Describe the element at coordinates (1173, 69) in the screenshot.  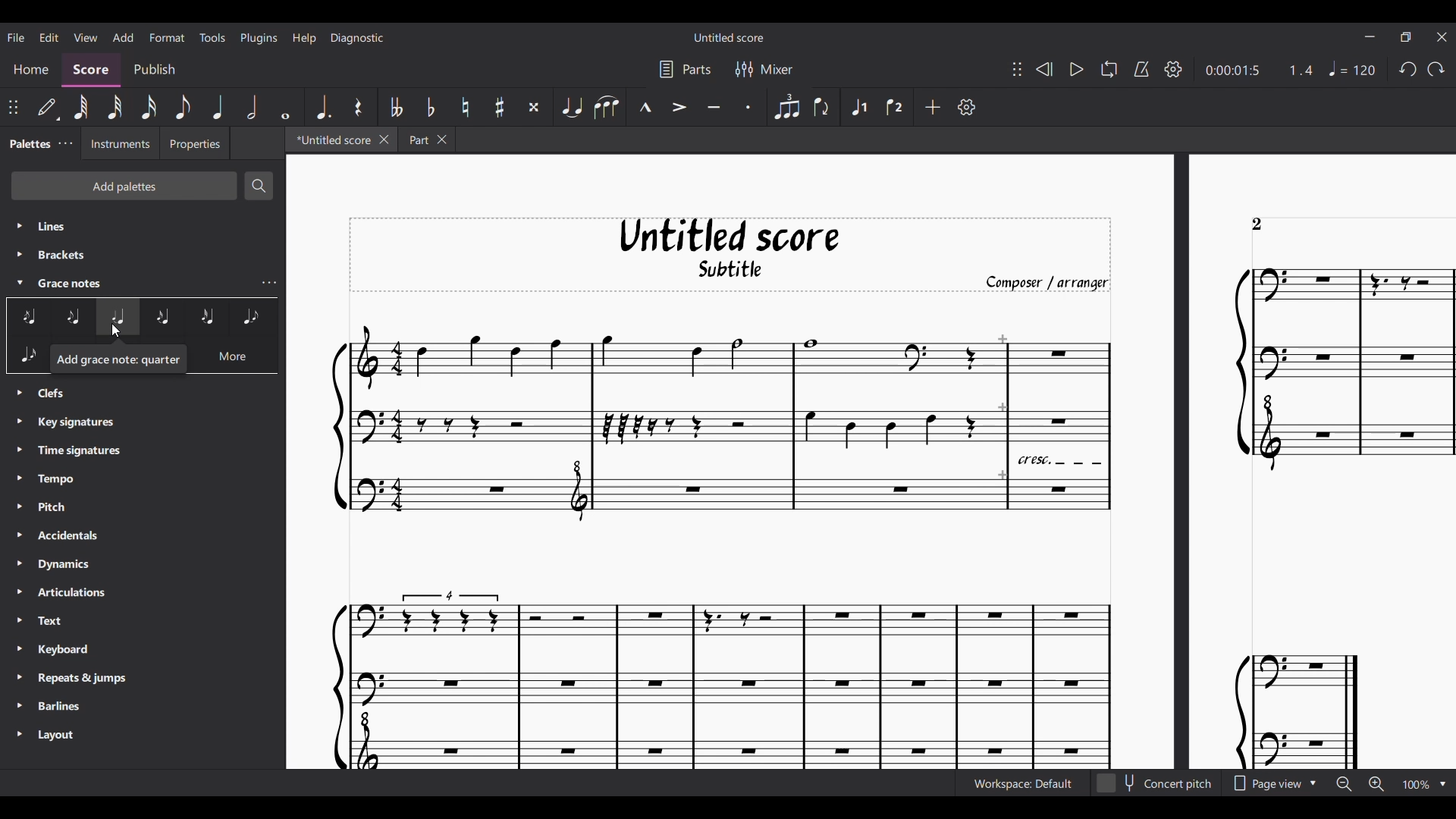
I see `Playback settings` at that location.